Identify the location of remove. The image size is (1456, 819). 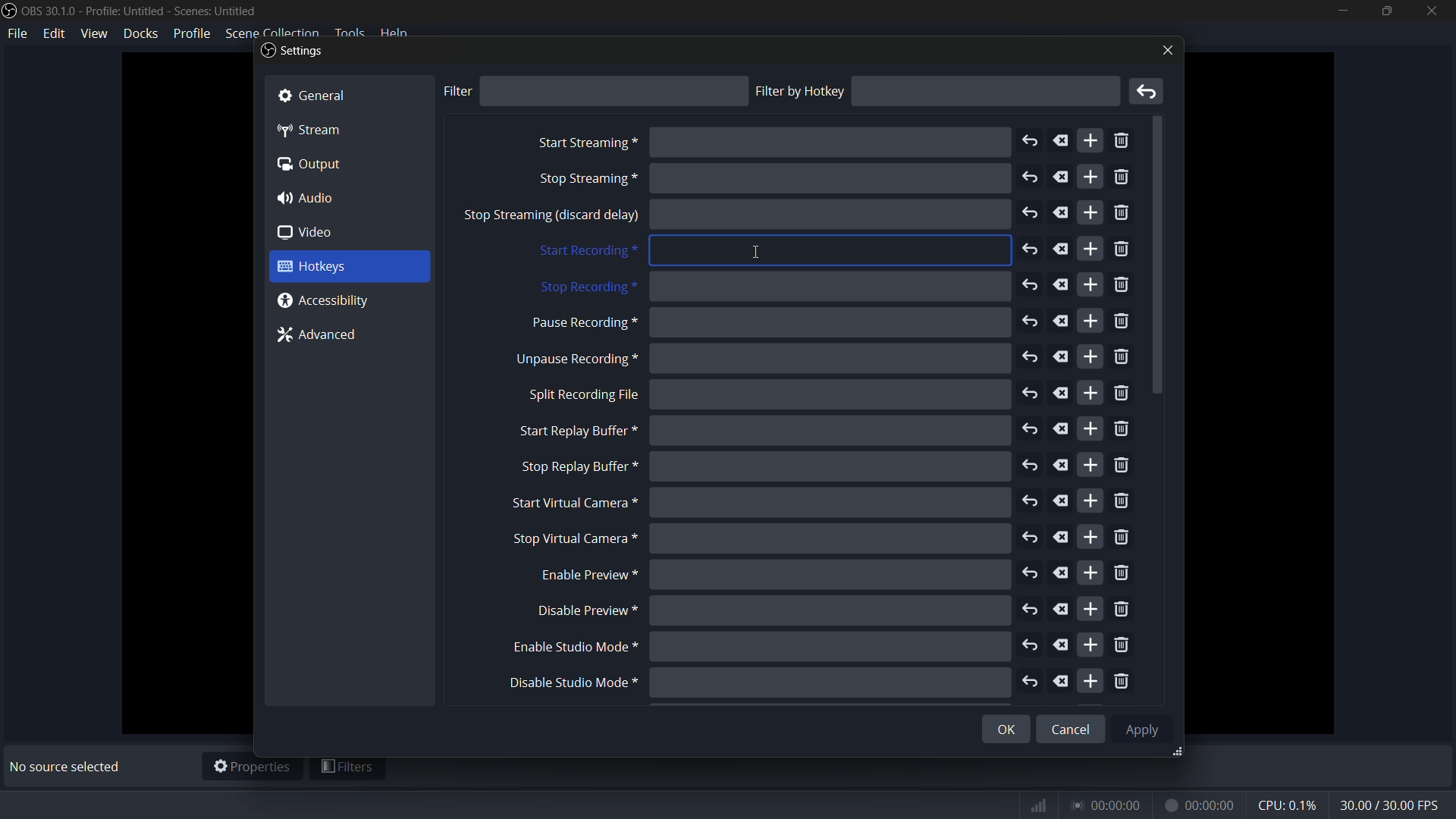
(1121, 323).